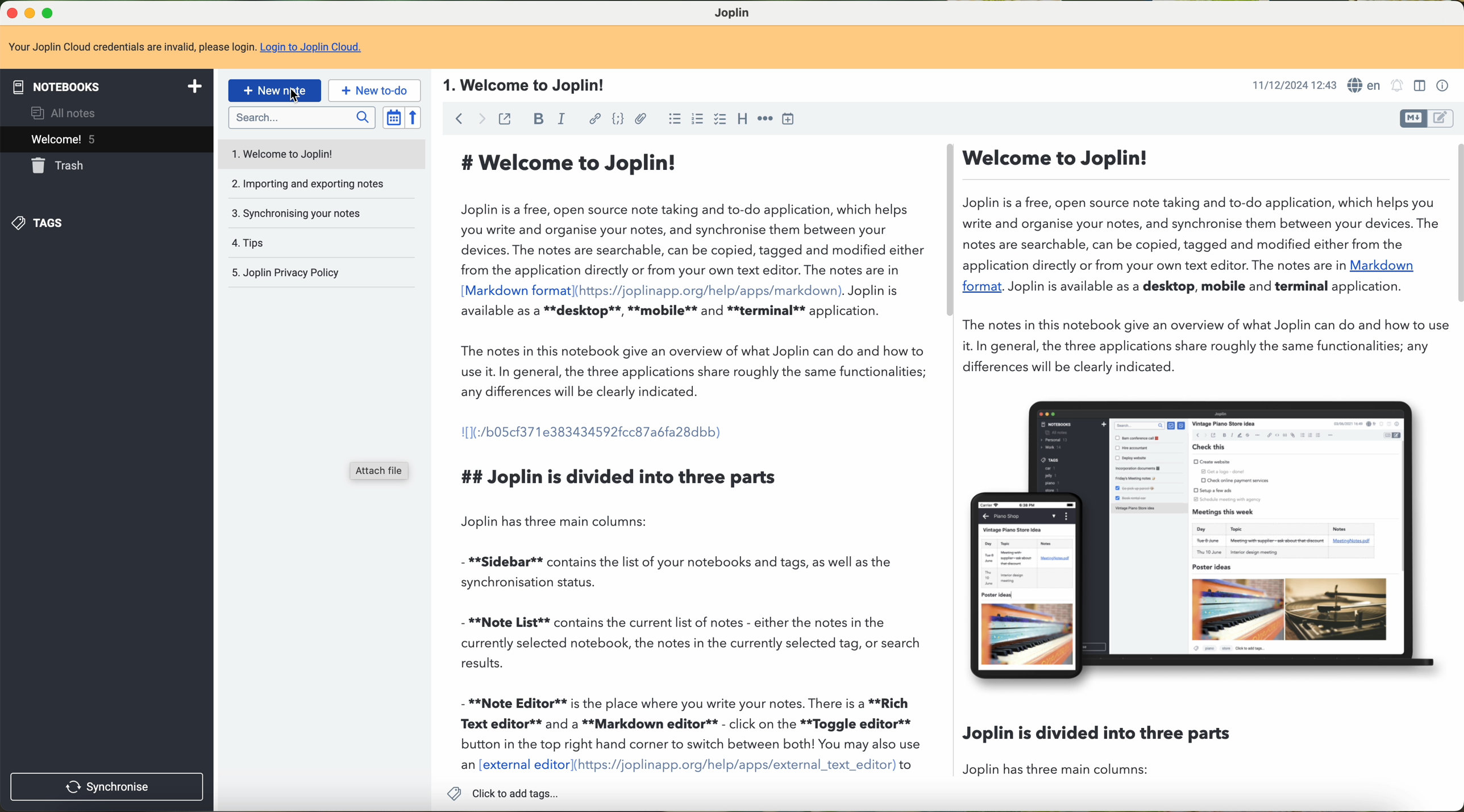 This screenshot has width=1464, height=812. What do you see at coordinates (1202, 261) in the screenshot?
I see `welcome to Joplin body text` at bounding box center [1202, 261].